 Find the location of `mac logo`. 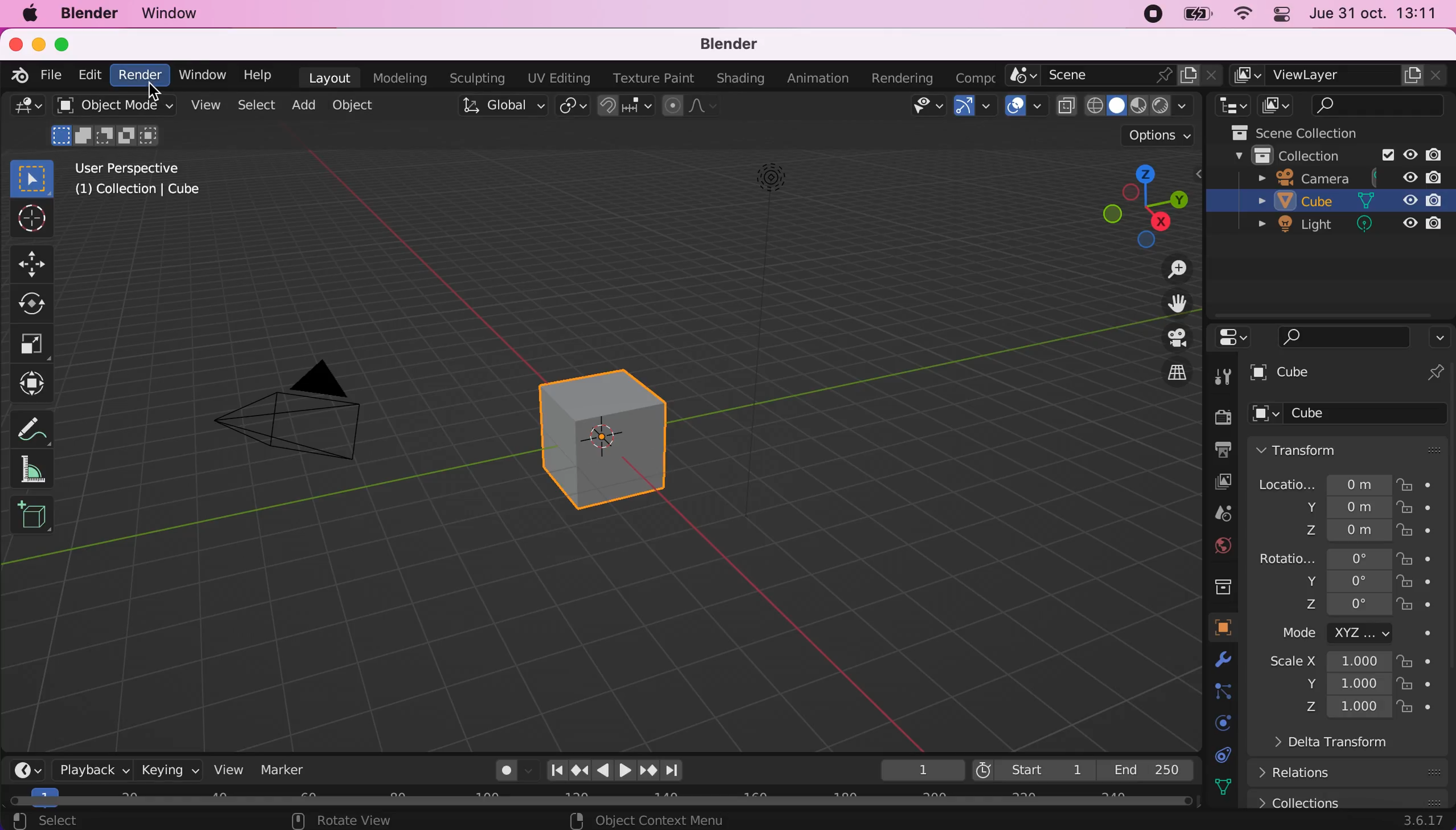

mac logo is located at coordinates (26, 14).